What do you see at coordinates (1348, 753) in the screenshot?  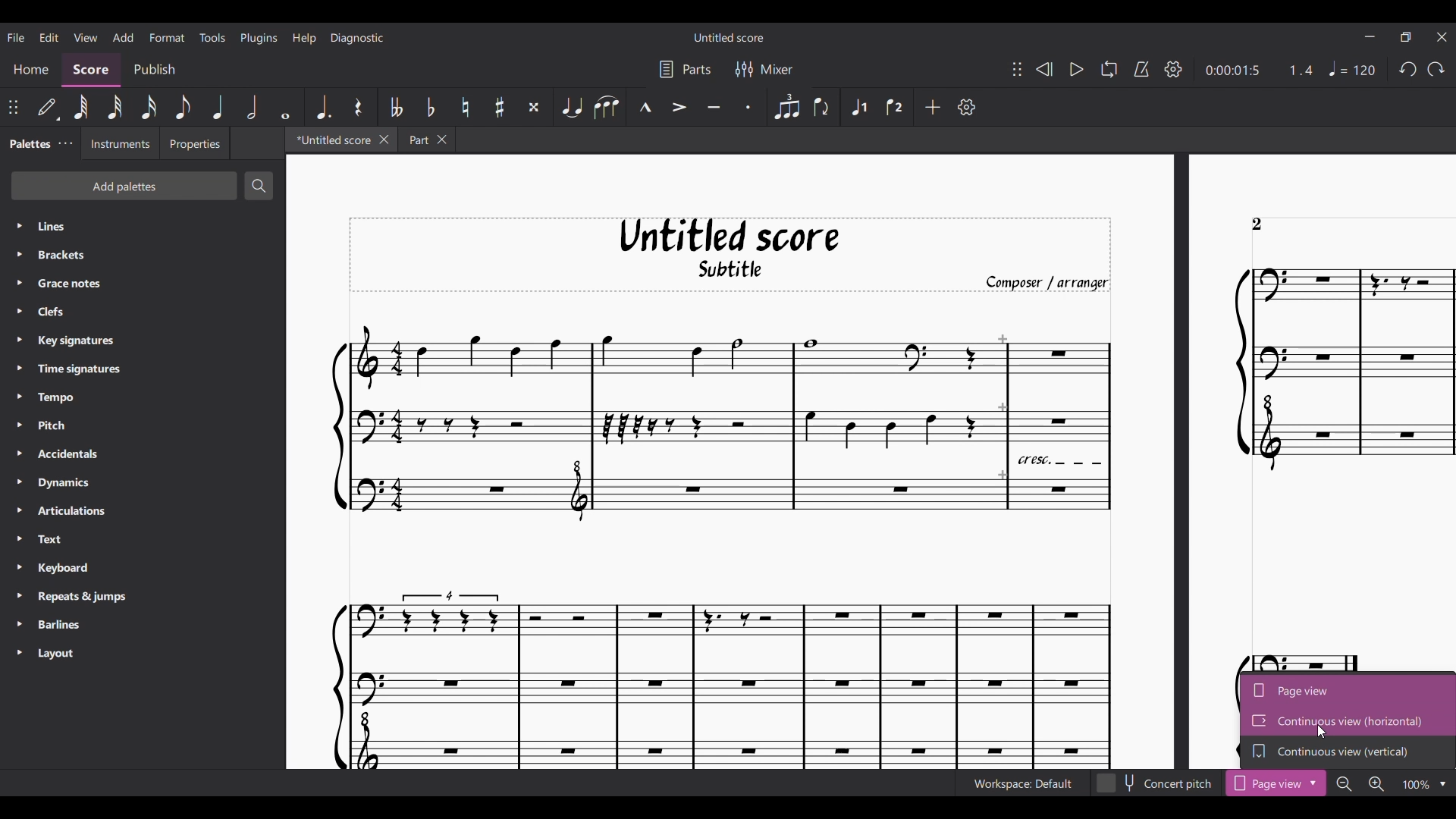 I see `Continuous view (vertical)` at bounding box center [1348, 753].